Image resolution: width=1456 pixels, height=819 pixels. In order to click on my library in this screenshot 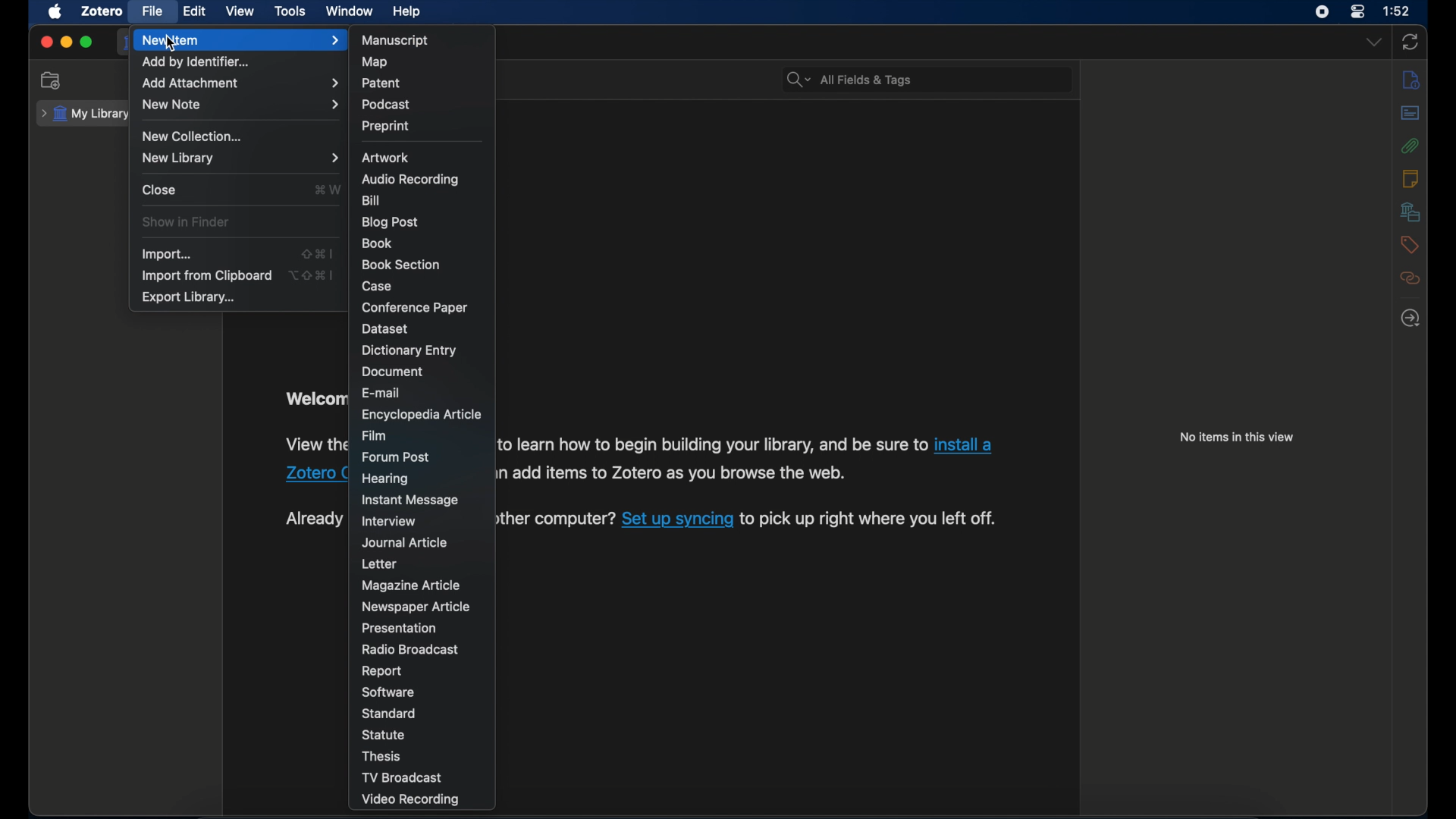, I will do `click(83, 115)`.